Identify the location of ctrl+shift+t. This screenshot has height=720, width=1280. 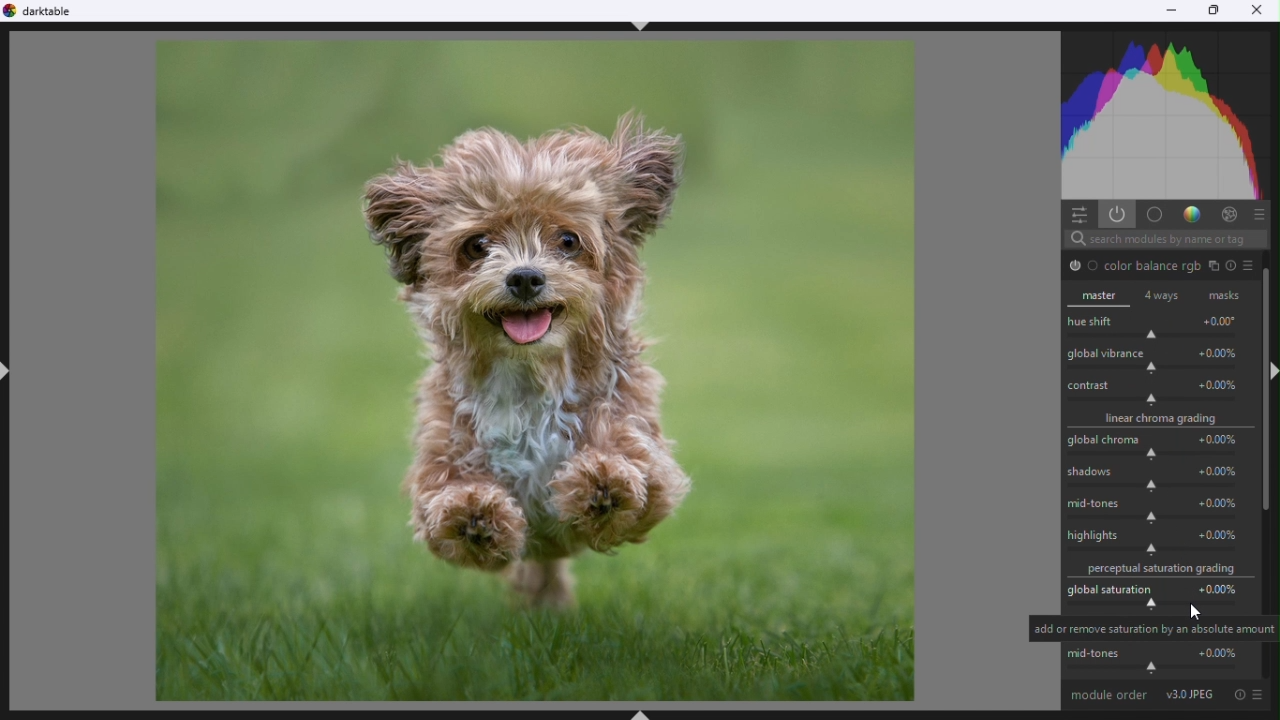
(646, 30).